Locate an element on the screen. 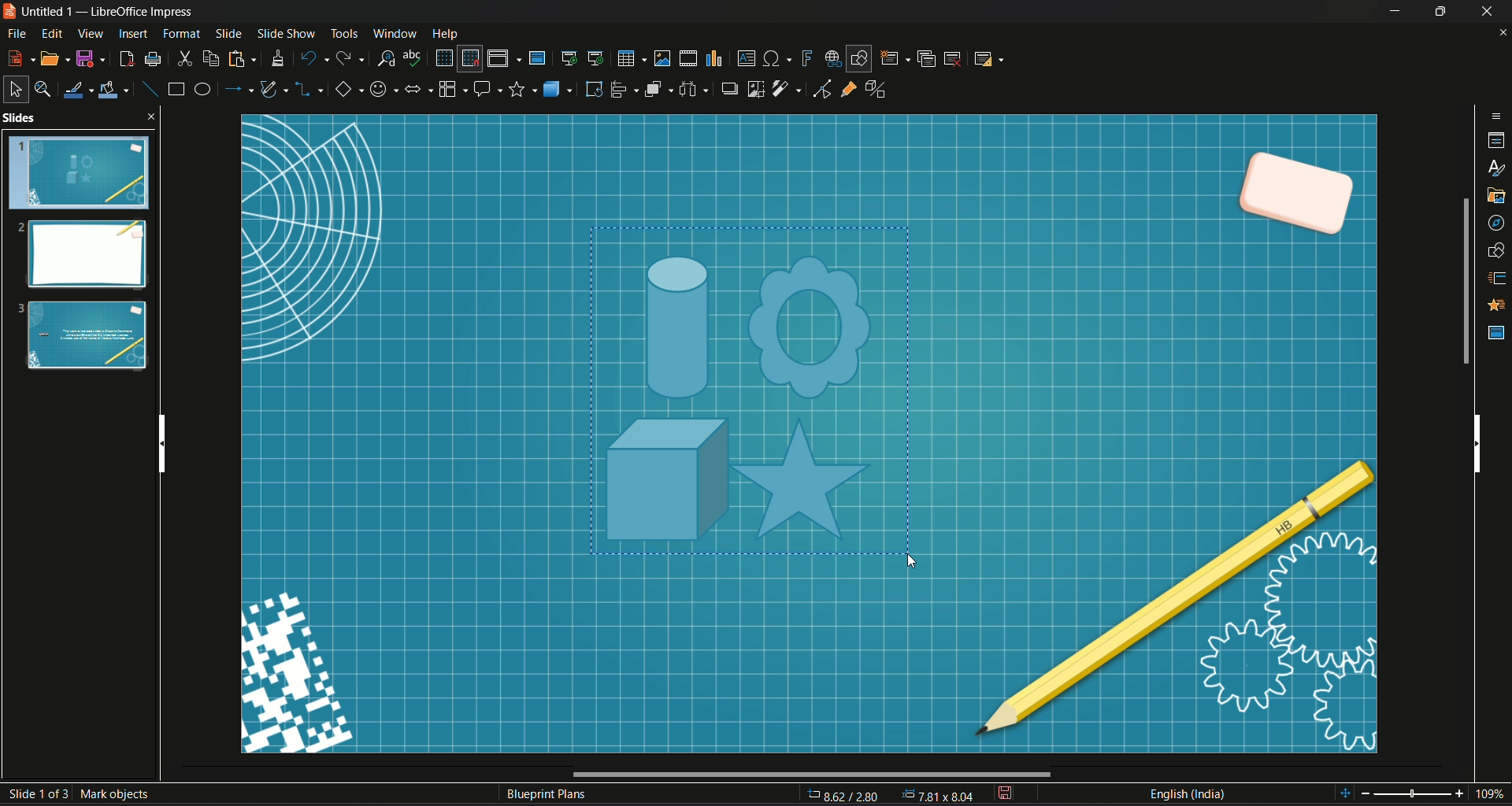 The image size is (1512, 806). Slides is located at coordinates (80, 246).